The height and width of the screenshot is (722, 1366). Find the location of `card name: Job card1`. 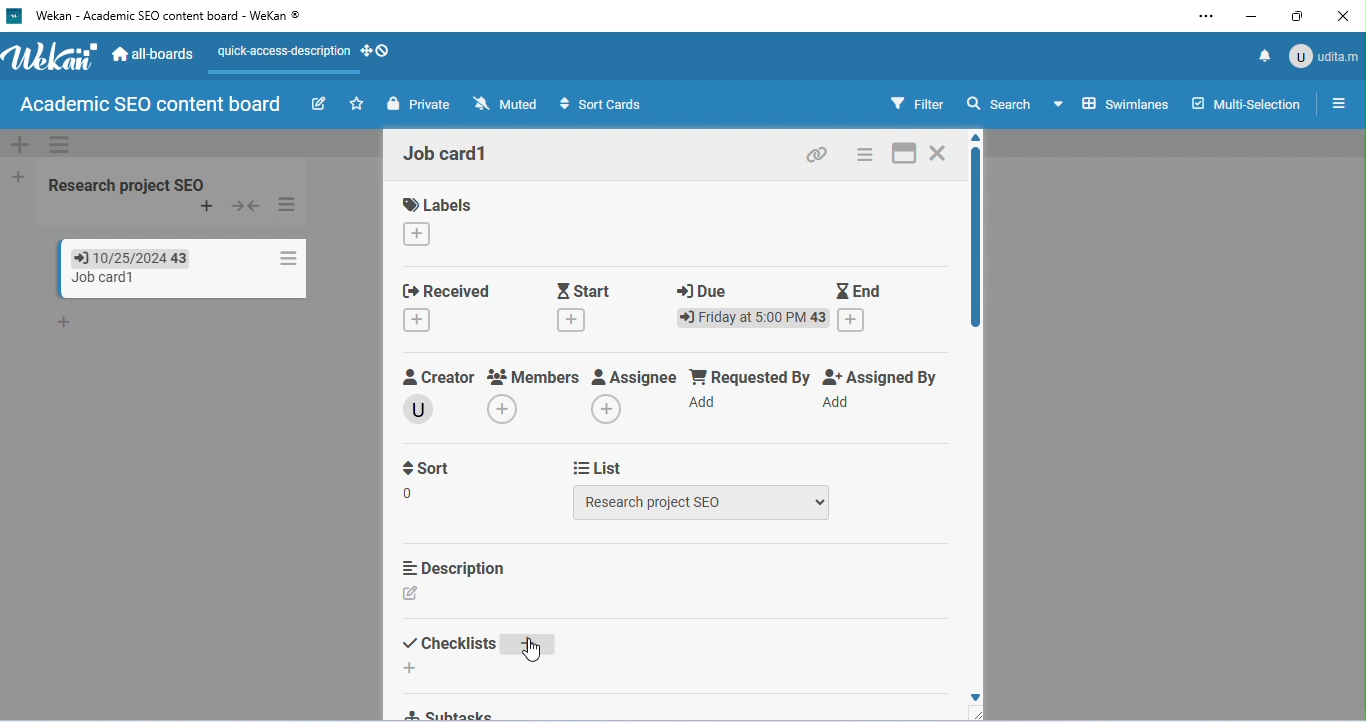

card name: Job card1 is located at coordinates (92, 278).